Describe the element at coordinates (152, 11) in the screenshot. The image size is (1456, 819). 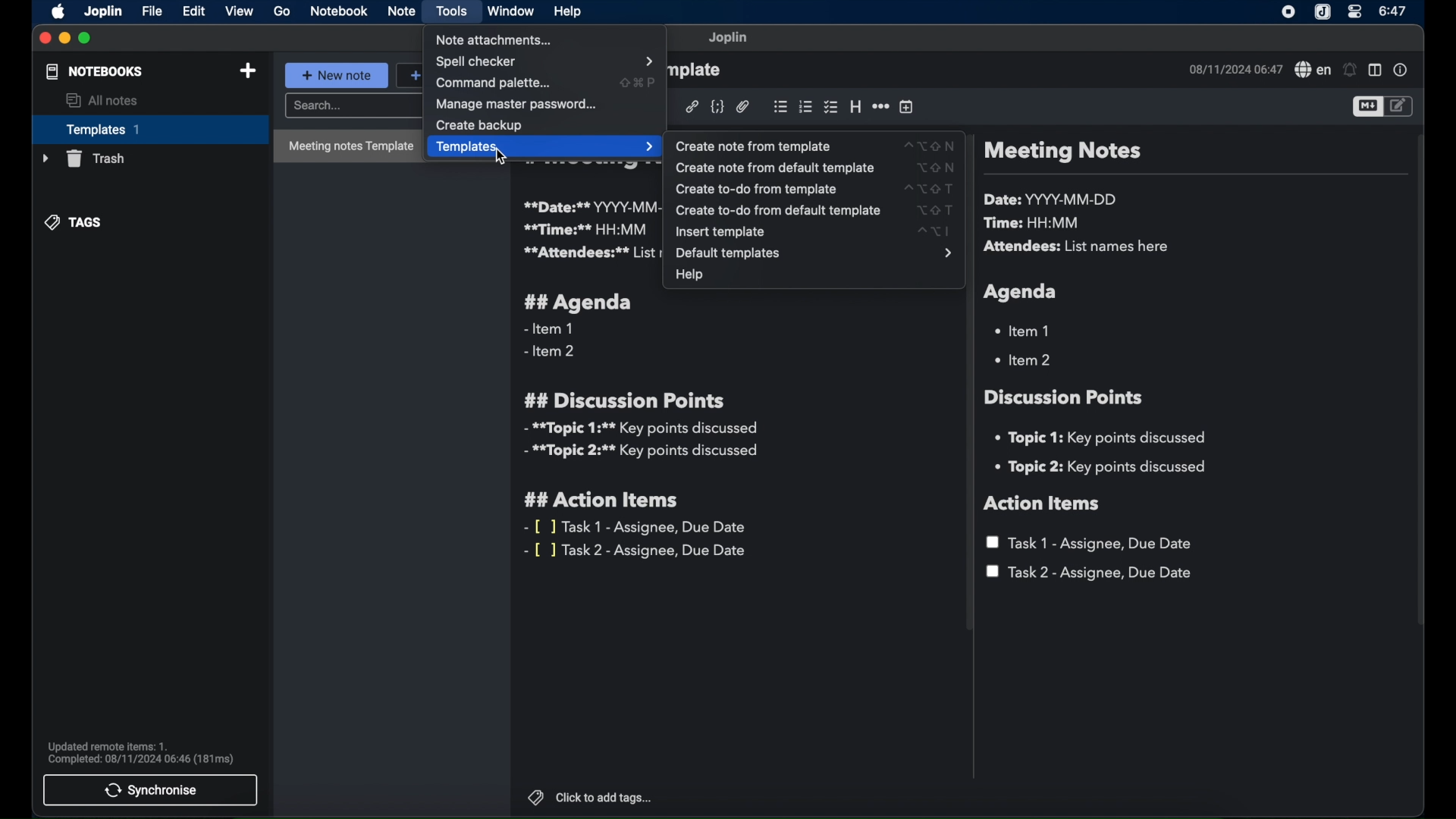
I see `file` at that location.